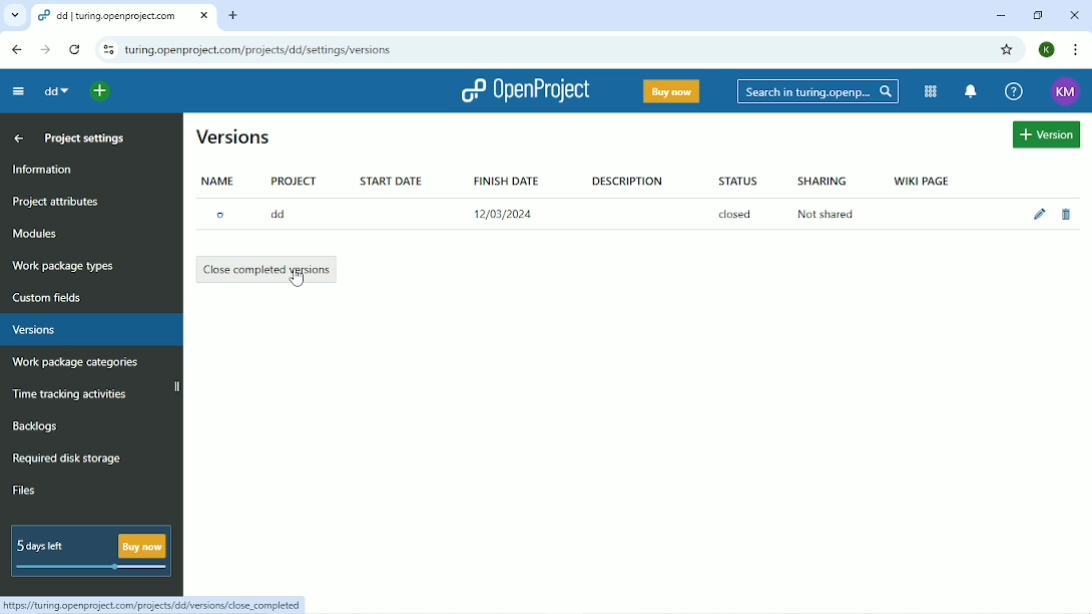 The height and width of the screenshot is (614, 1092). What do you see at coordinates (123, 15) in the screenshot?
I see `dd|turing.openproject.com` at bounding box center [123, 15].